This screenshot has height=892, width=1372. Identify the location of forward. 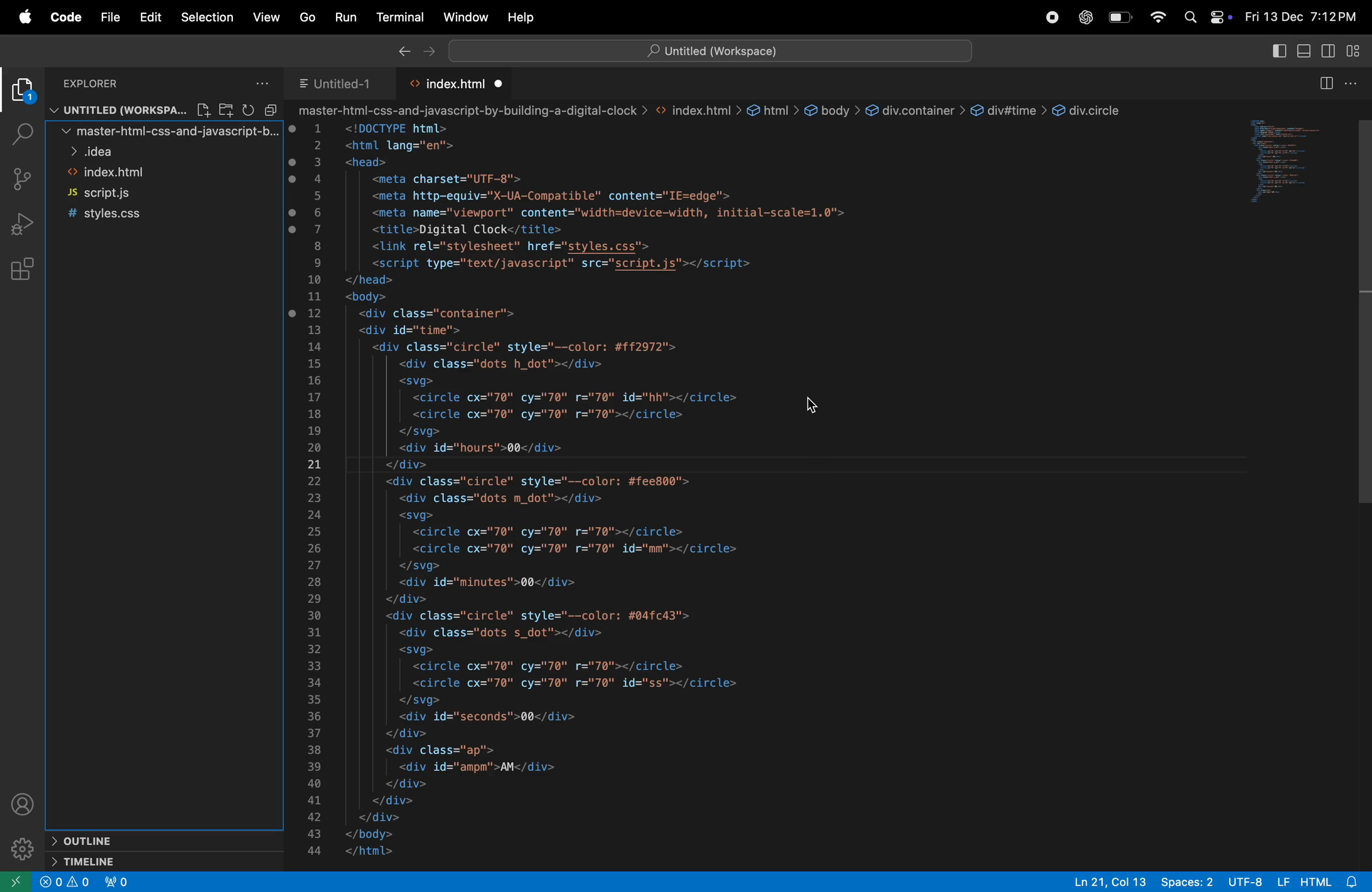
(430, 52).